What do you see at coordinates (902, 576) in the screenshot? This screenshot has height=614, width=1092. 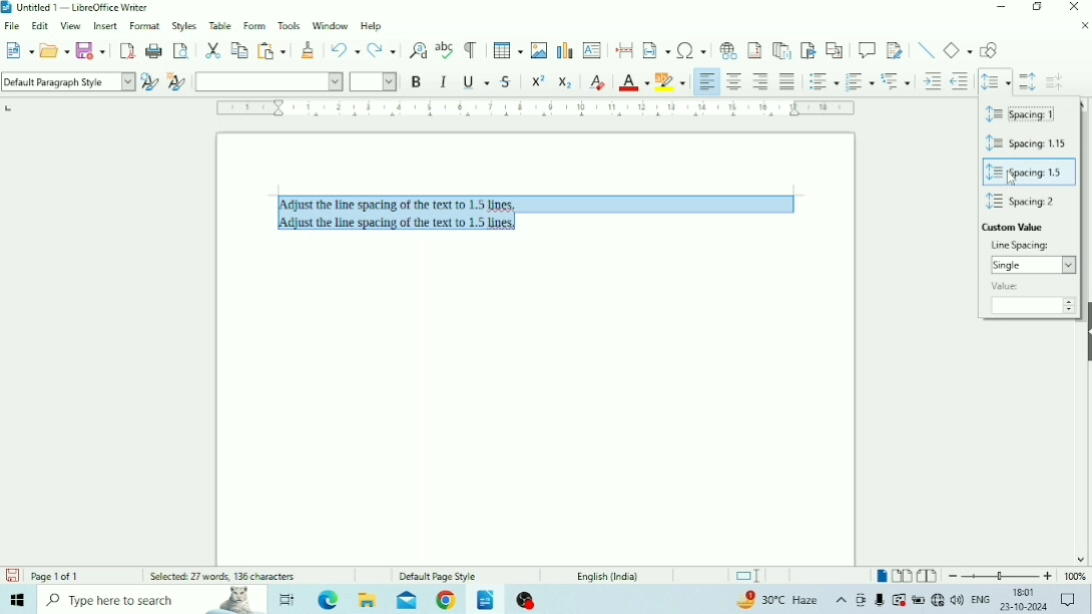 I see `Multiple-page view` at bounding box center [902, 576].